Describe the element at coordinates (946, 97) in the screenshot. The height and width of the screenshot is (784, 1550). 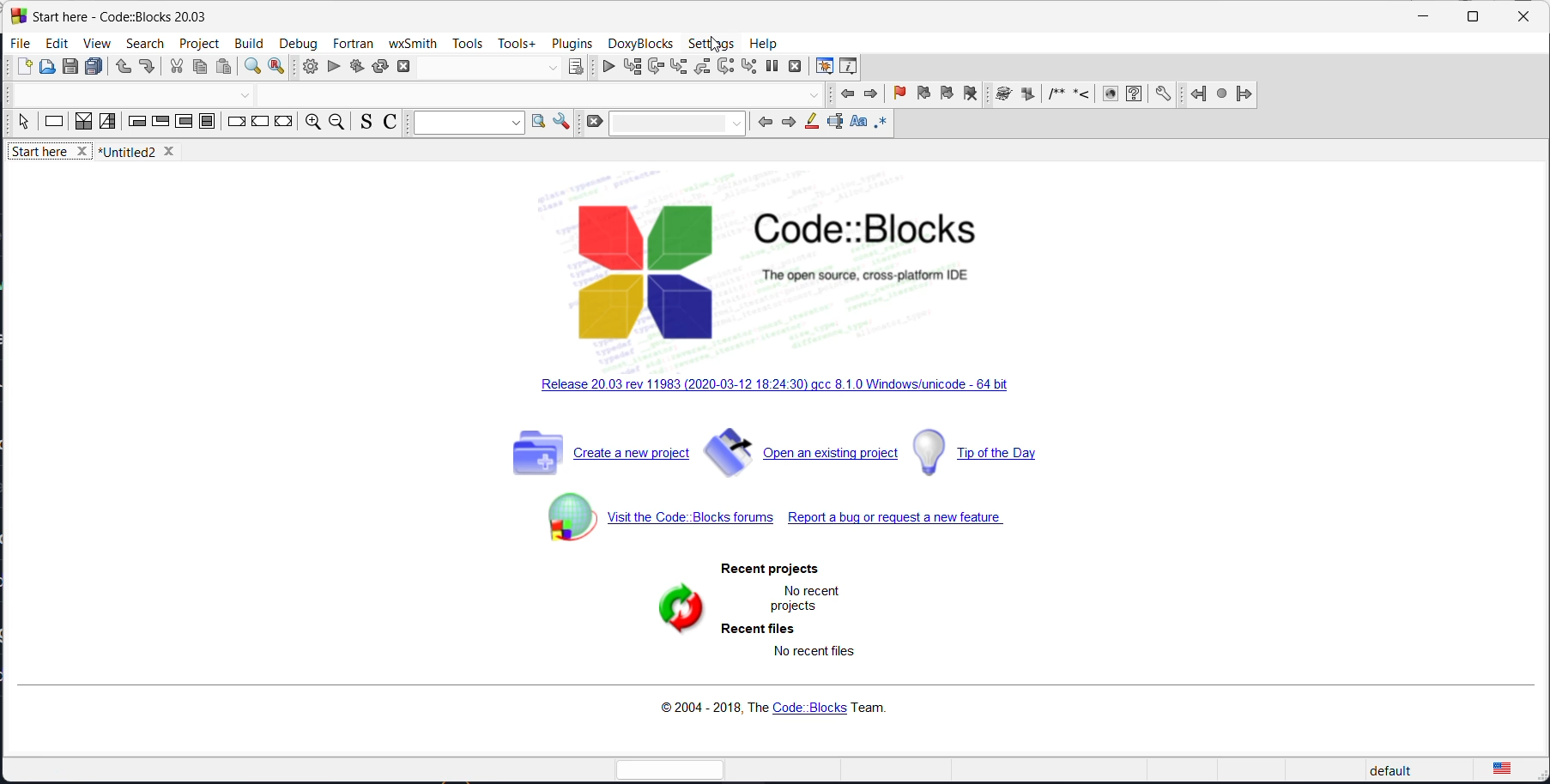
I see `next bookmark` at that location.